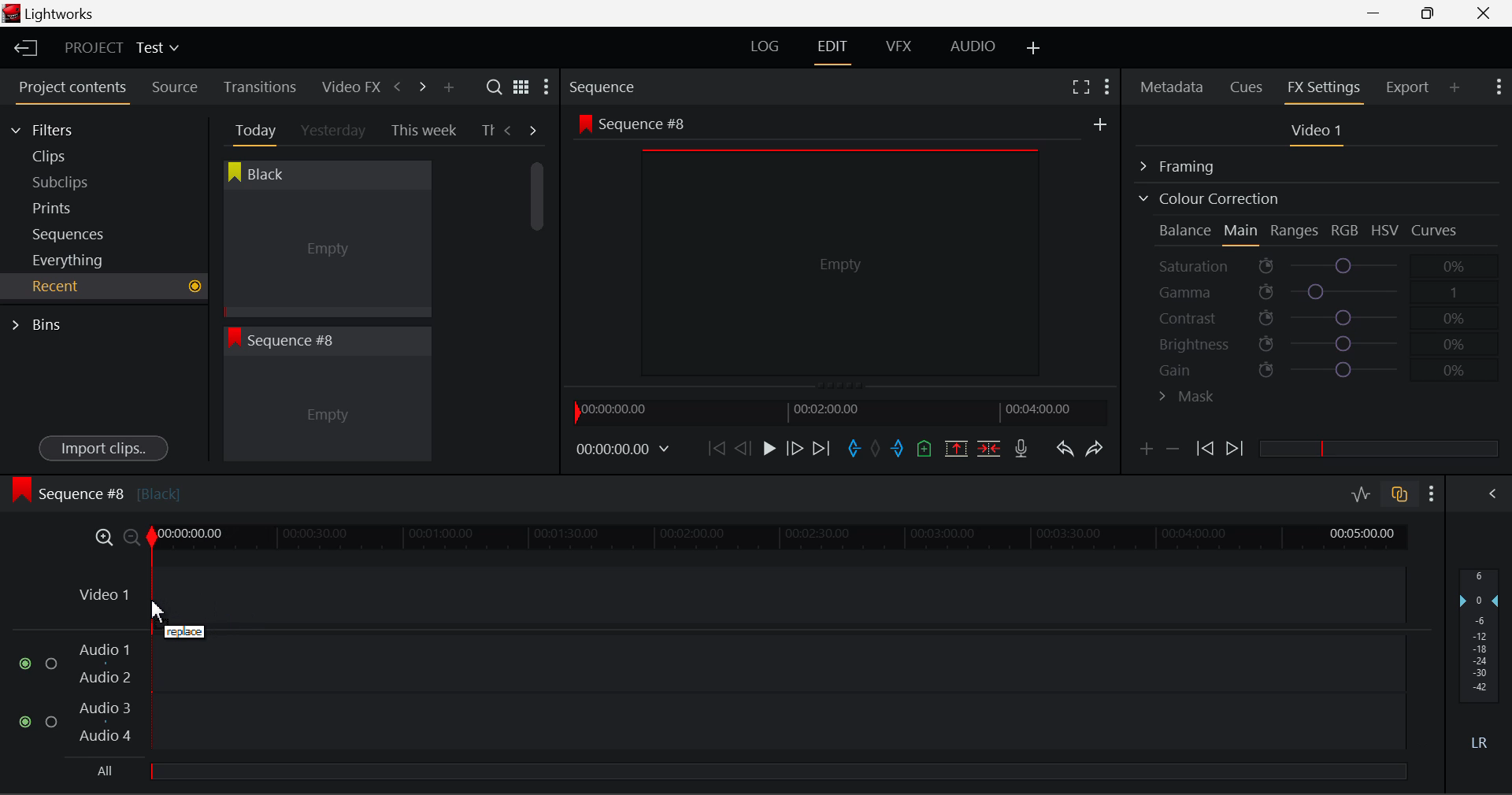 This screenshot has width=1512, height=795. I want to click on Transitions, so click(260, 87).